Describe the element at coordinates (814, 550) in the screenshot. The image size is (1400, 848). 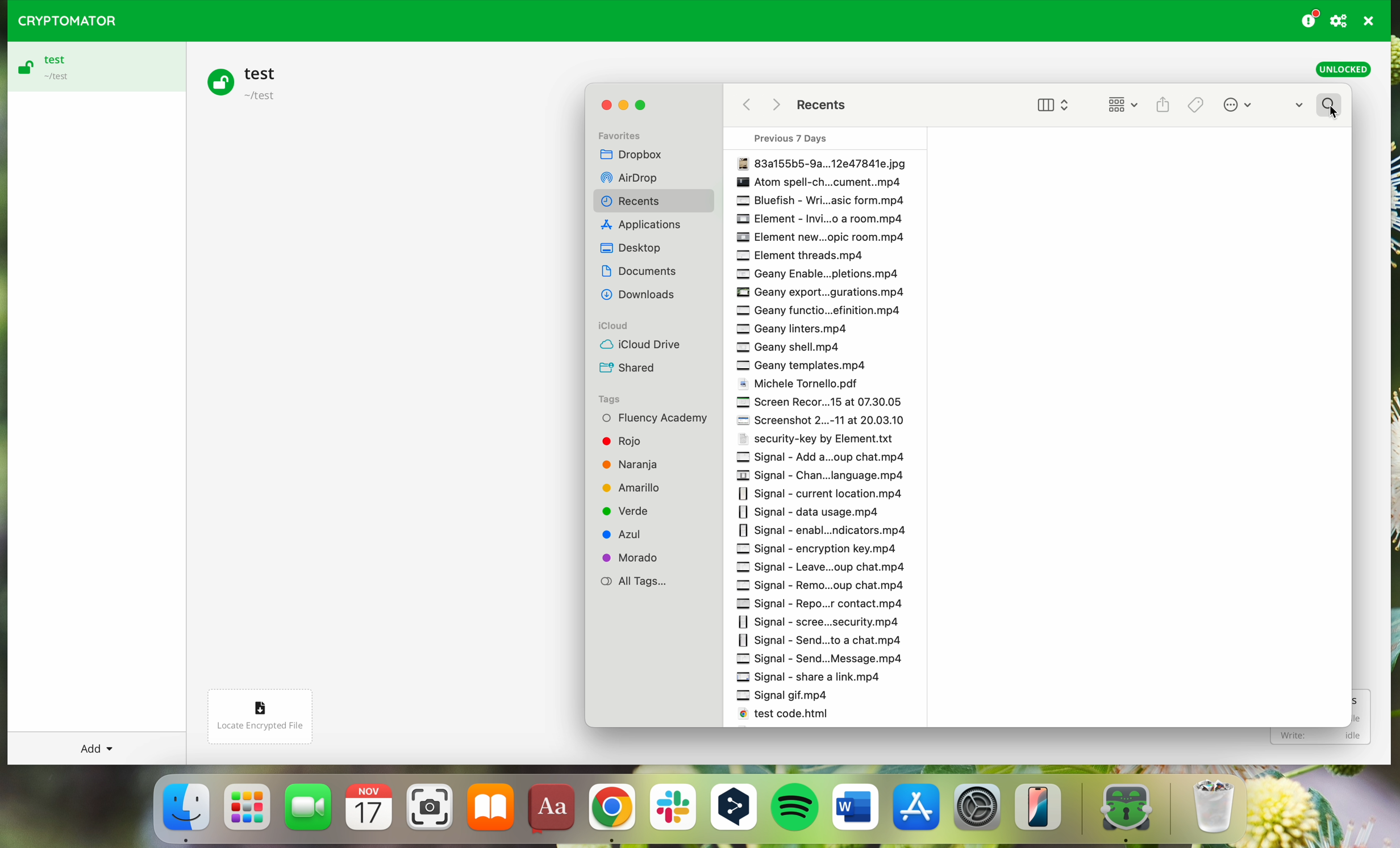
I see `signal encryption key` at that location.